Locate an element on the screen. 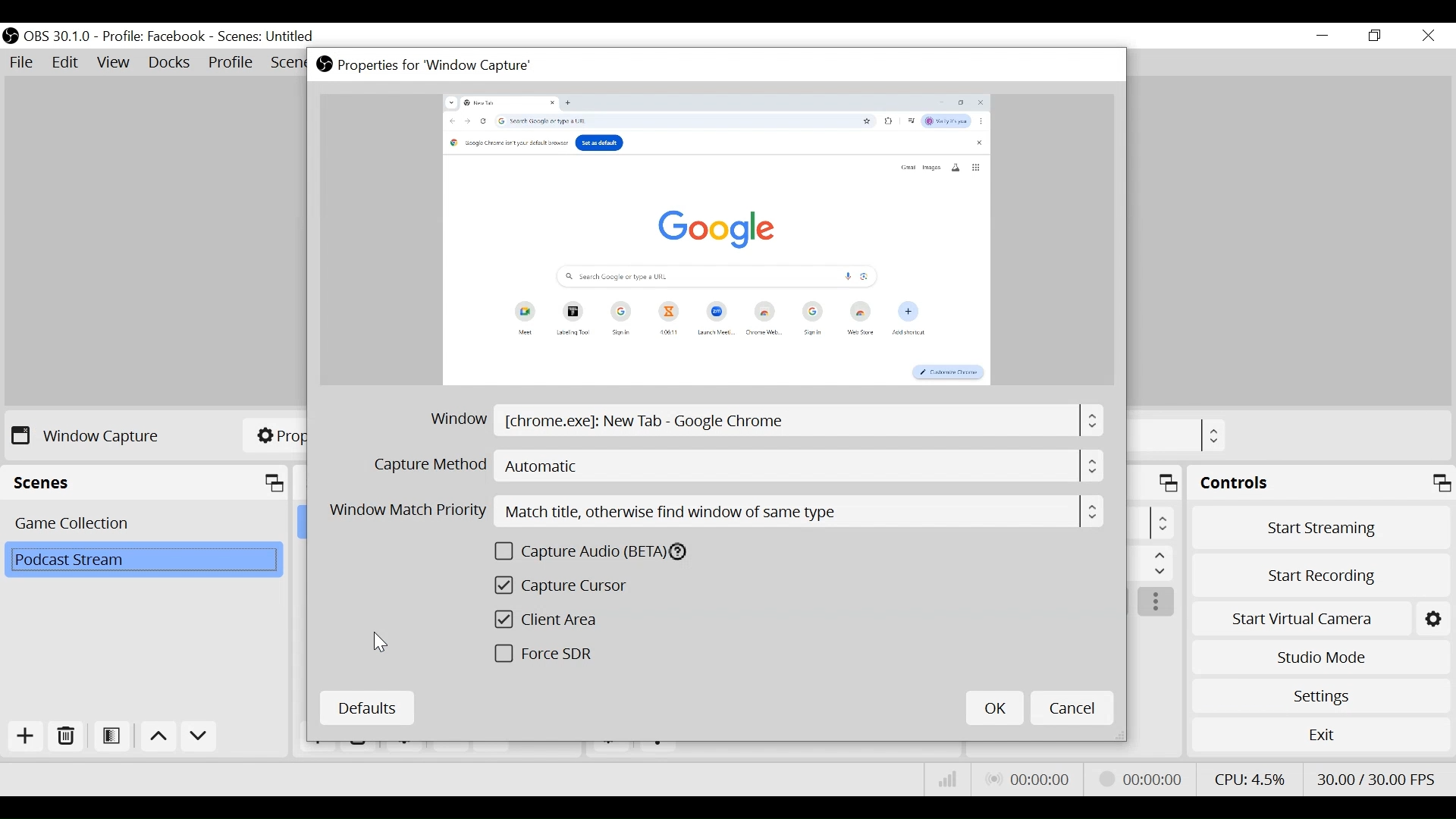 This screenshot has height=819, width=1456. Controls Panel is located at coordinates (1321, 483).